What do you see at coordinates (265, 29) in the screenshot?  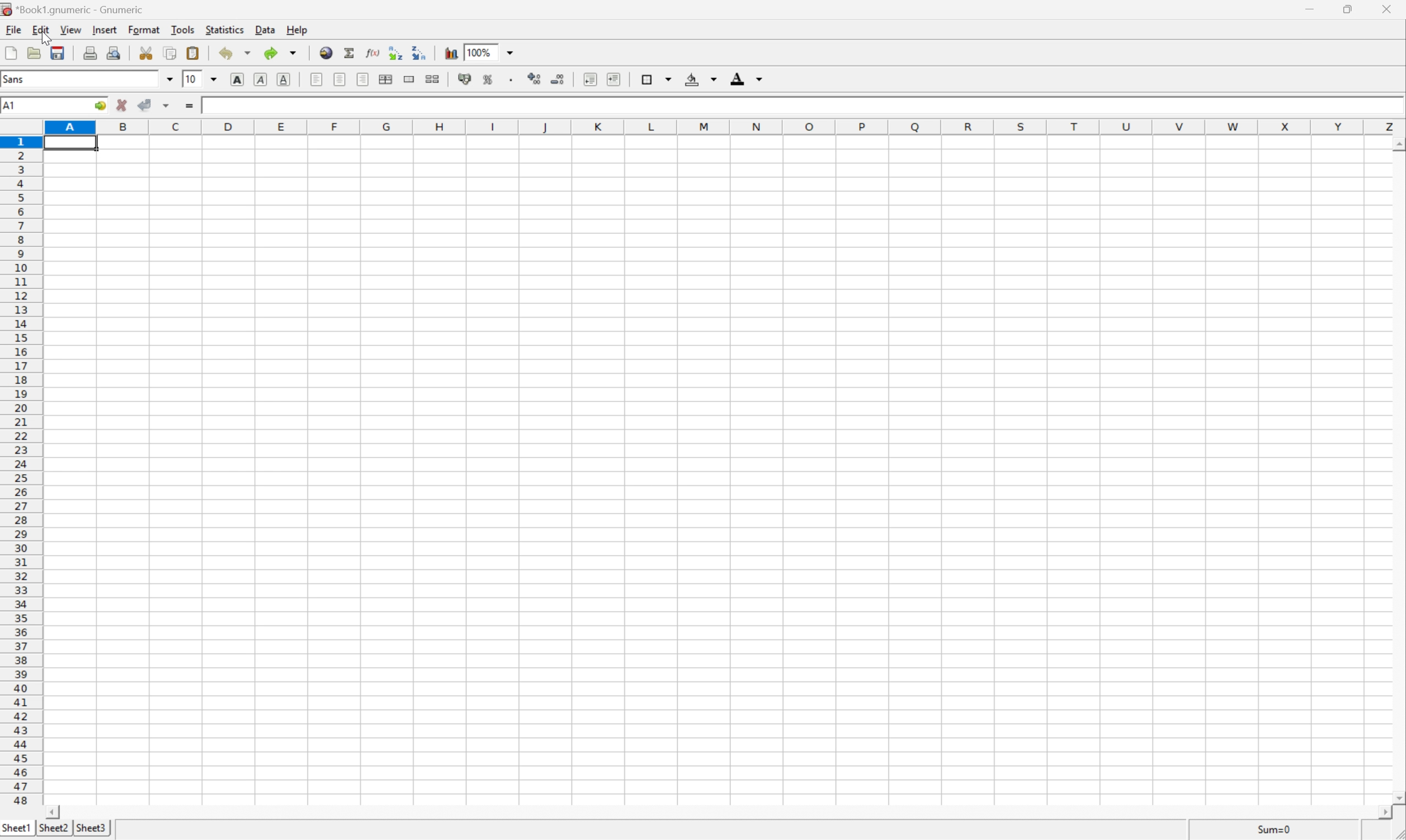 I see `data` at bounding box center [265, 29].